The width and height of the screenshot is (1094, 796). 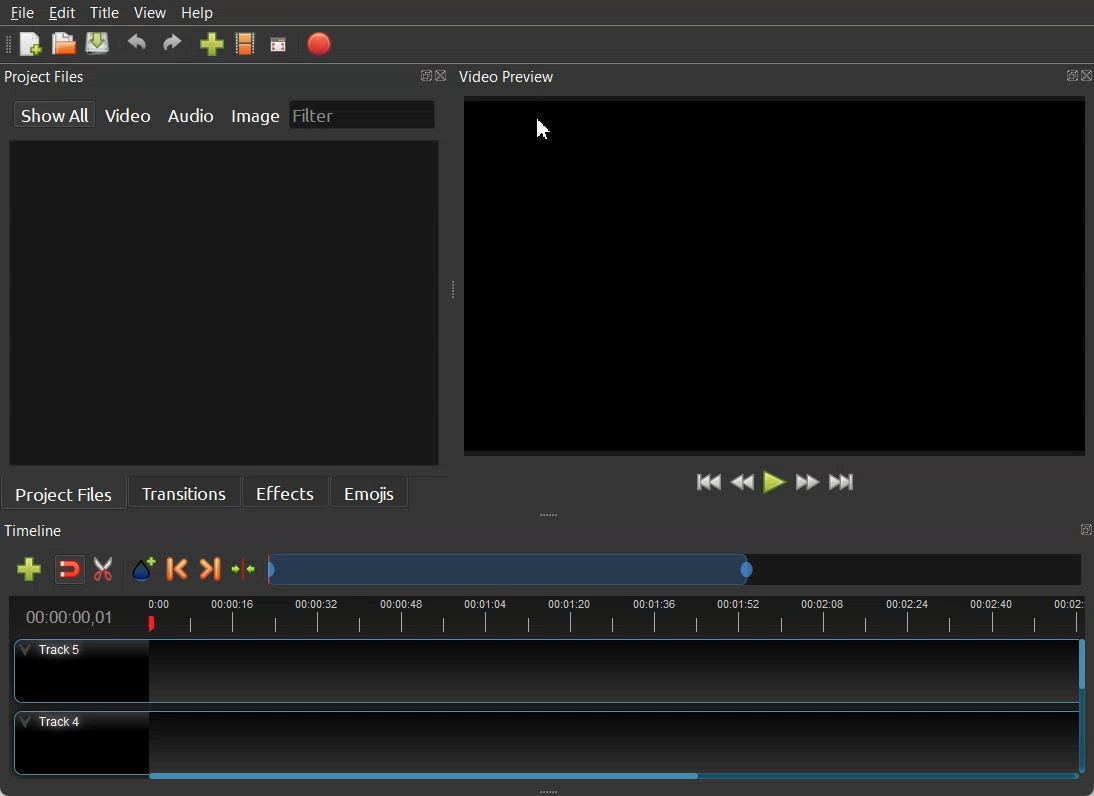 What do you see at coordinates (106, 13) in the screenshot?
I see `Title` at bounding box center [106, 13].